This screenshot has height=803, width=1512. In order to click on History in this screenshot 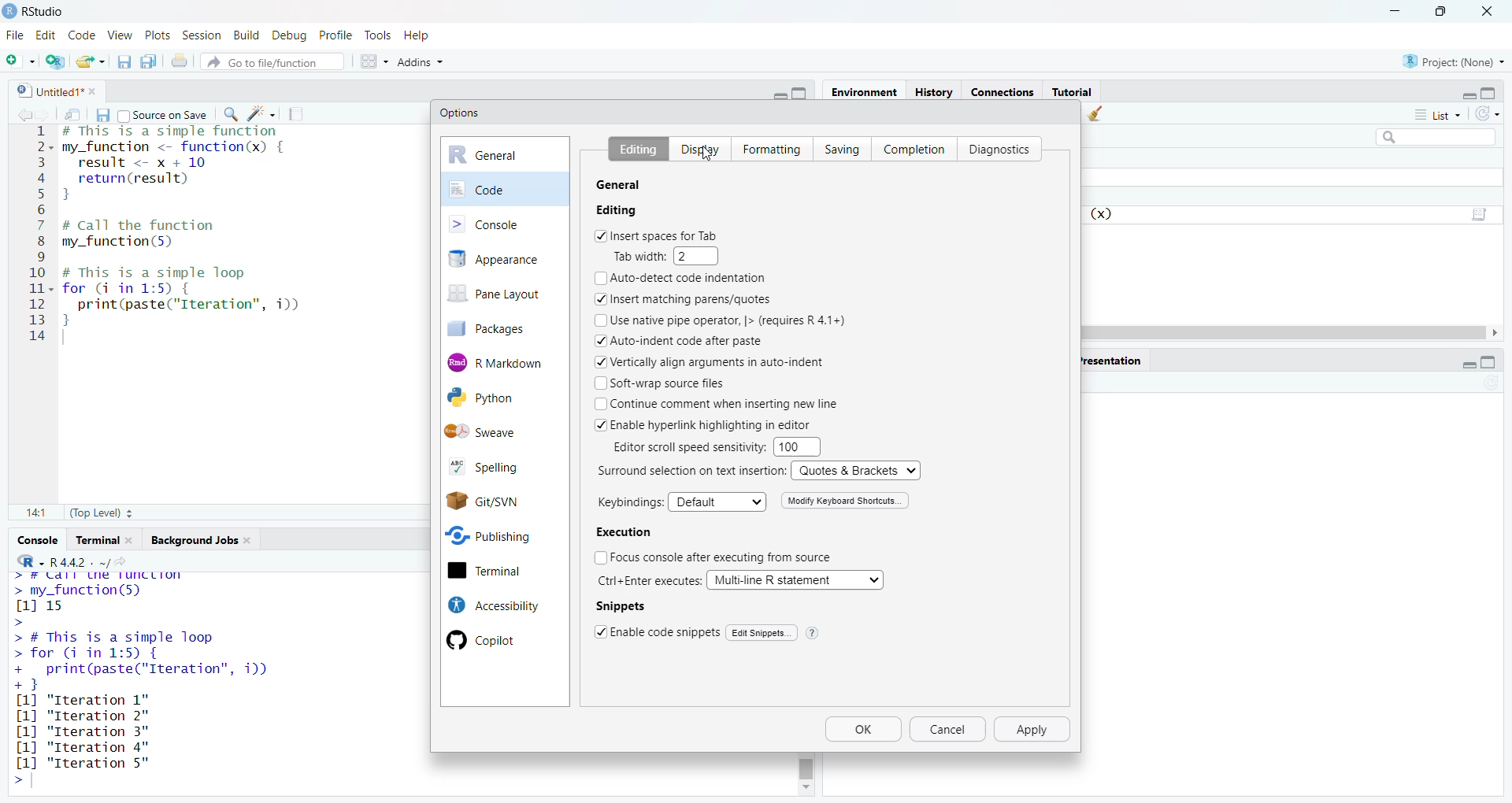, I will do `click(934, 91)`.